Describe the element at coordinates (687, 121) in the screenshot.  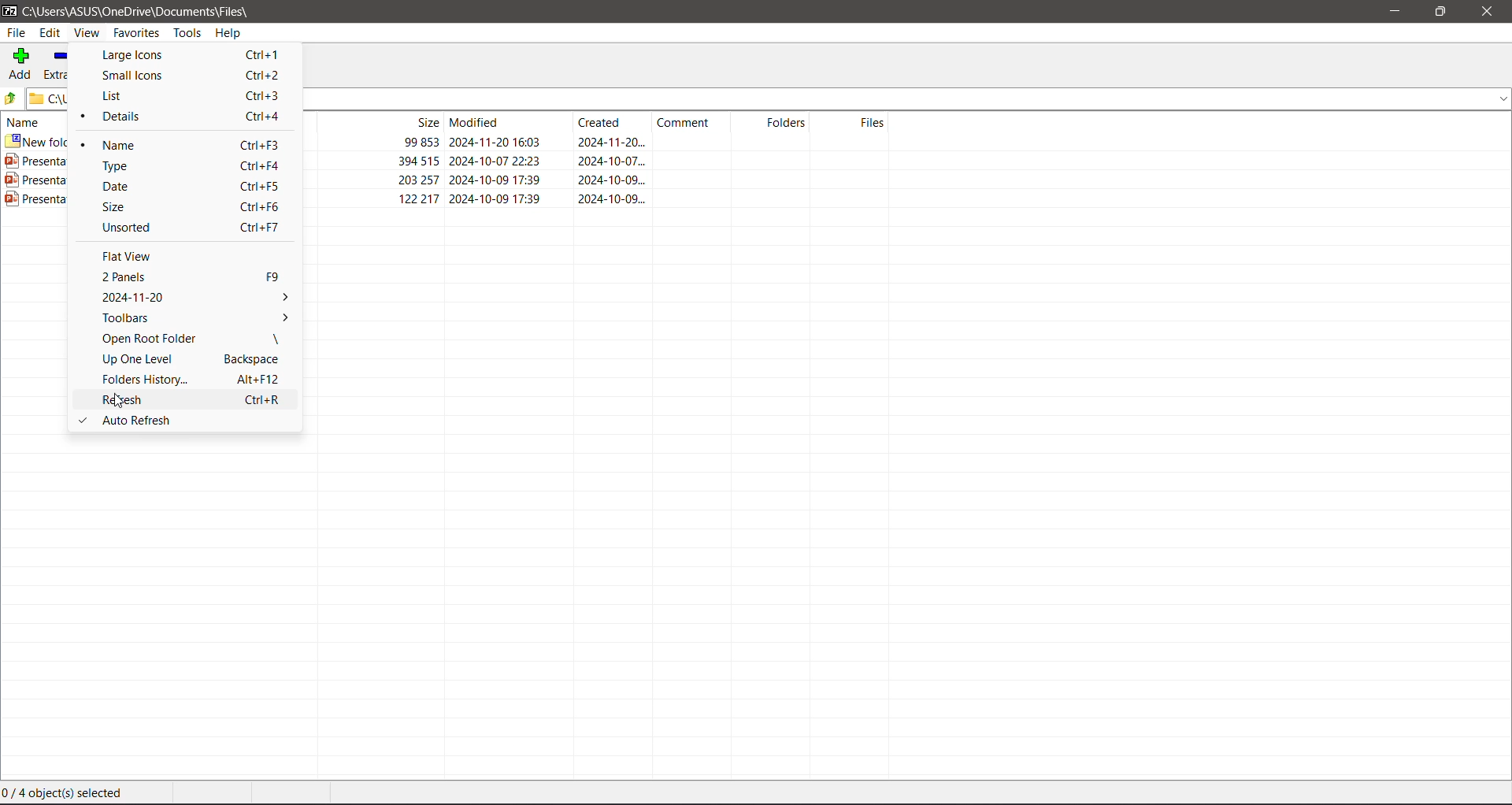
I see `comment` at that location.